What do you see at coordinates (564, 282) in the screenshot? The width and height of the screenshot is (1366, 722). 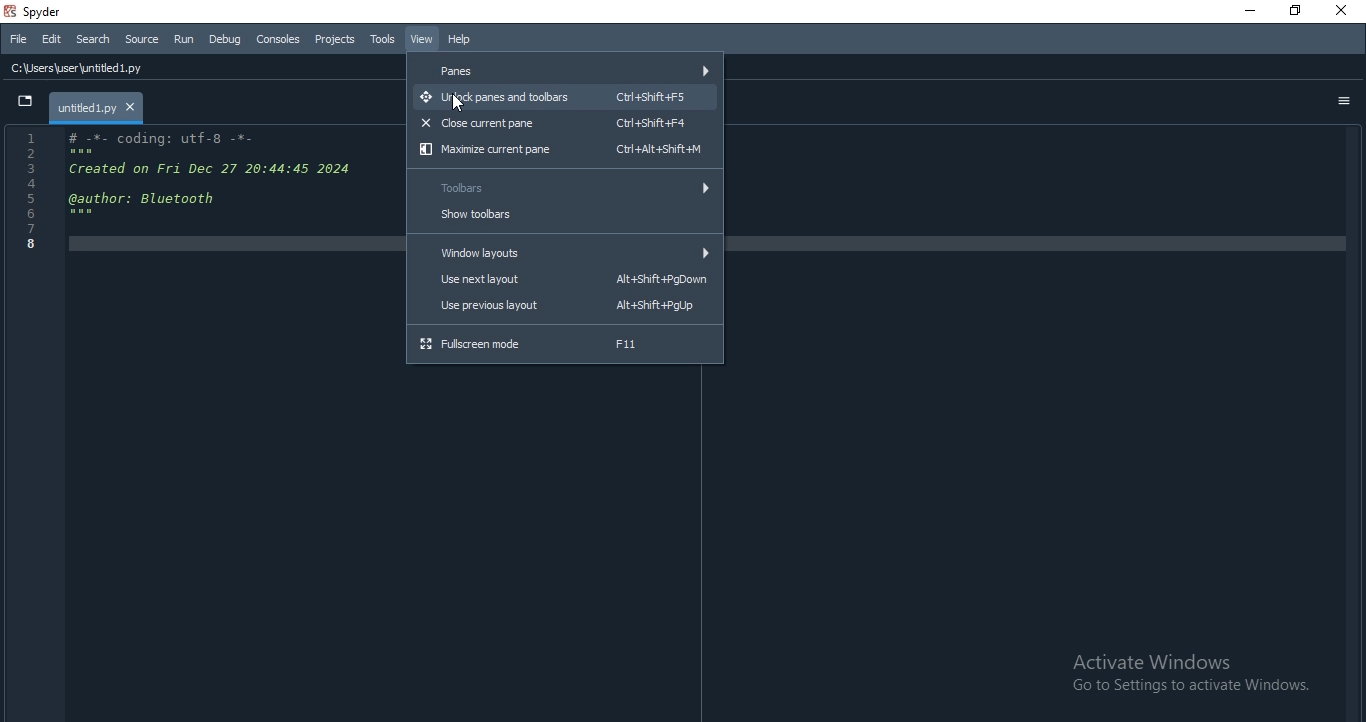 I see `use next layout` at bounding box center [564, 282].